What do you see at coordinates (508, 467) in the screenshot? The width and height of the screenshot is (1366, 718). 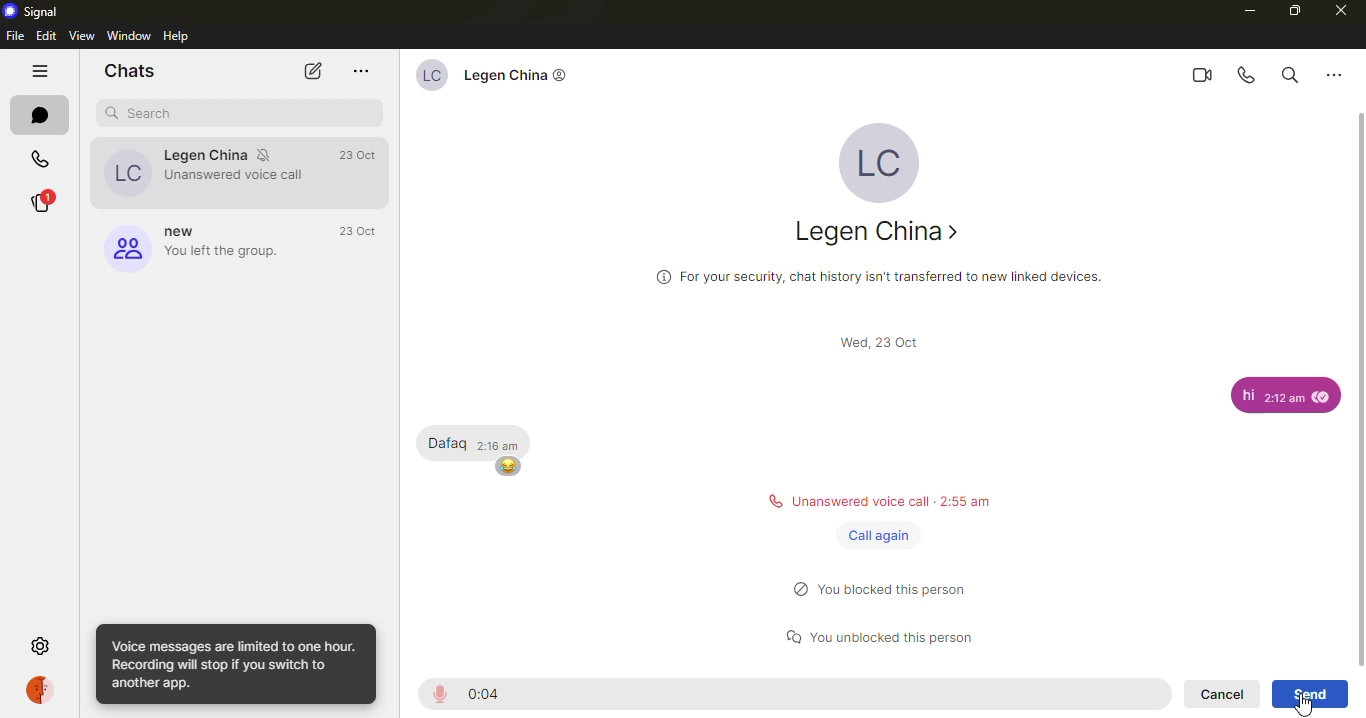 I see `emoji` at bounding box center [508, 467].